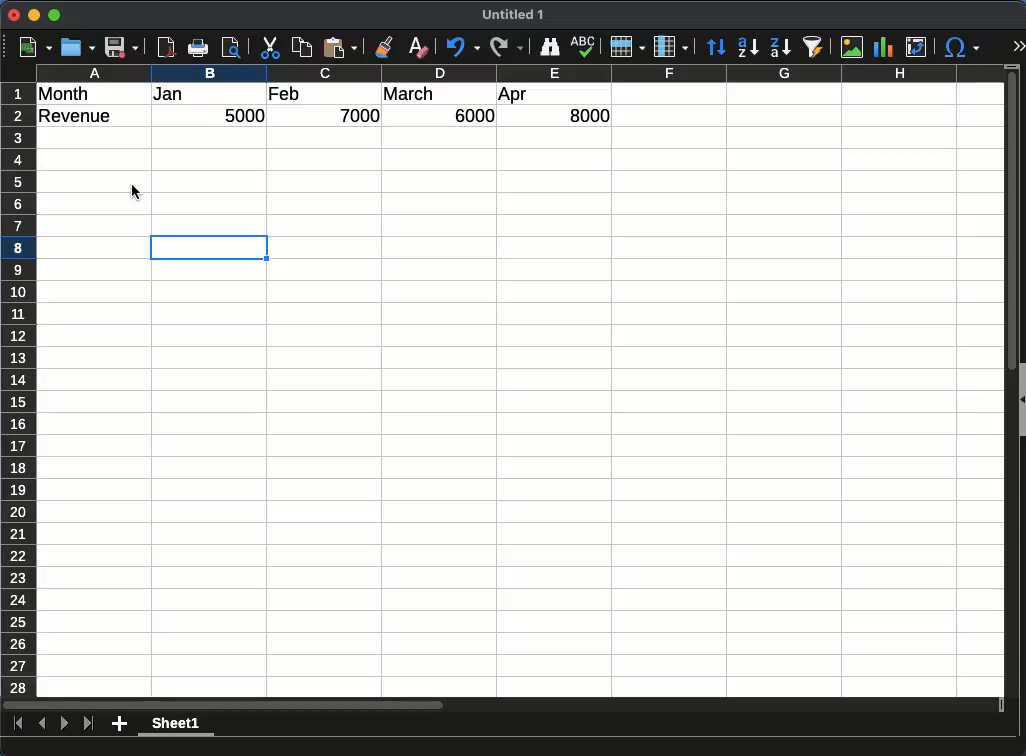 This screenshot has height=756, width=1026. I want to click on next sheet, so click(65, 723).